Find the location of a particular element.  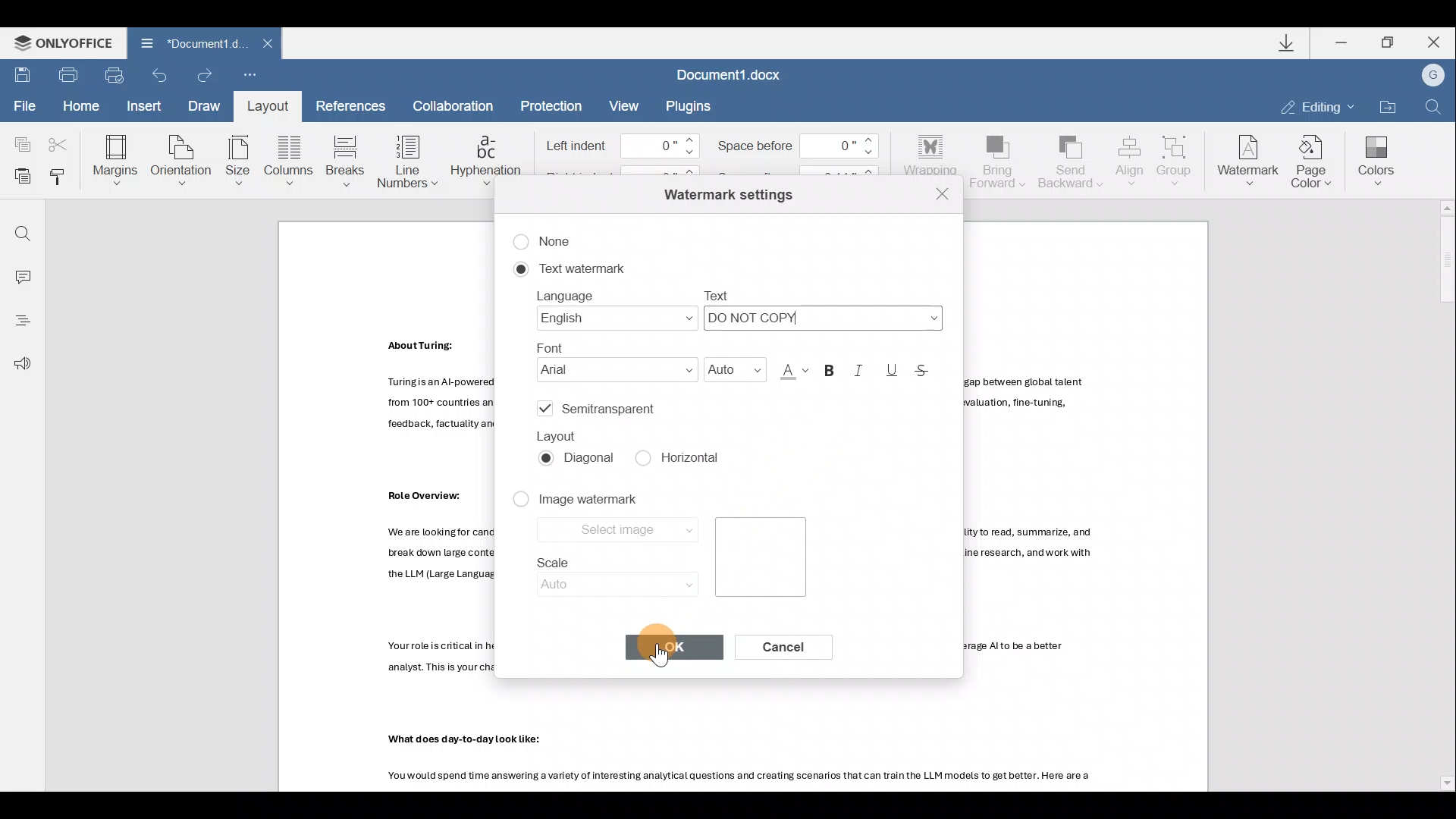

Minimize is located at coordinates (1342, 42).